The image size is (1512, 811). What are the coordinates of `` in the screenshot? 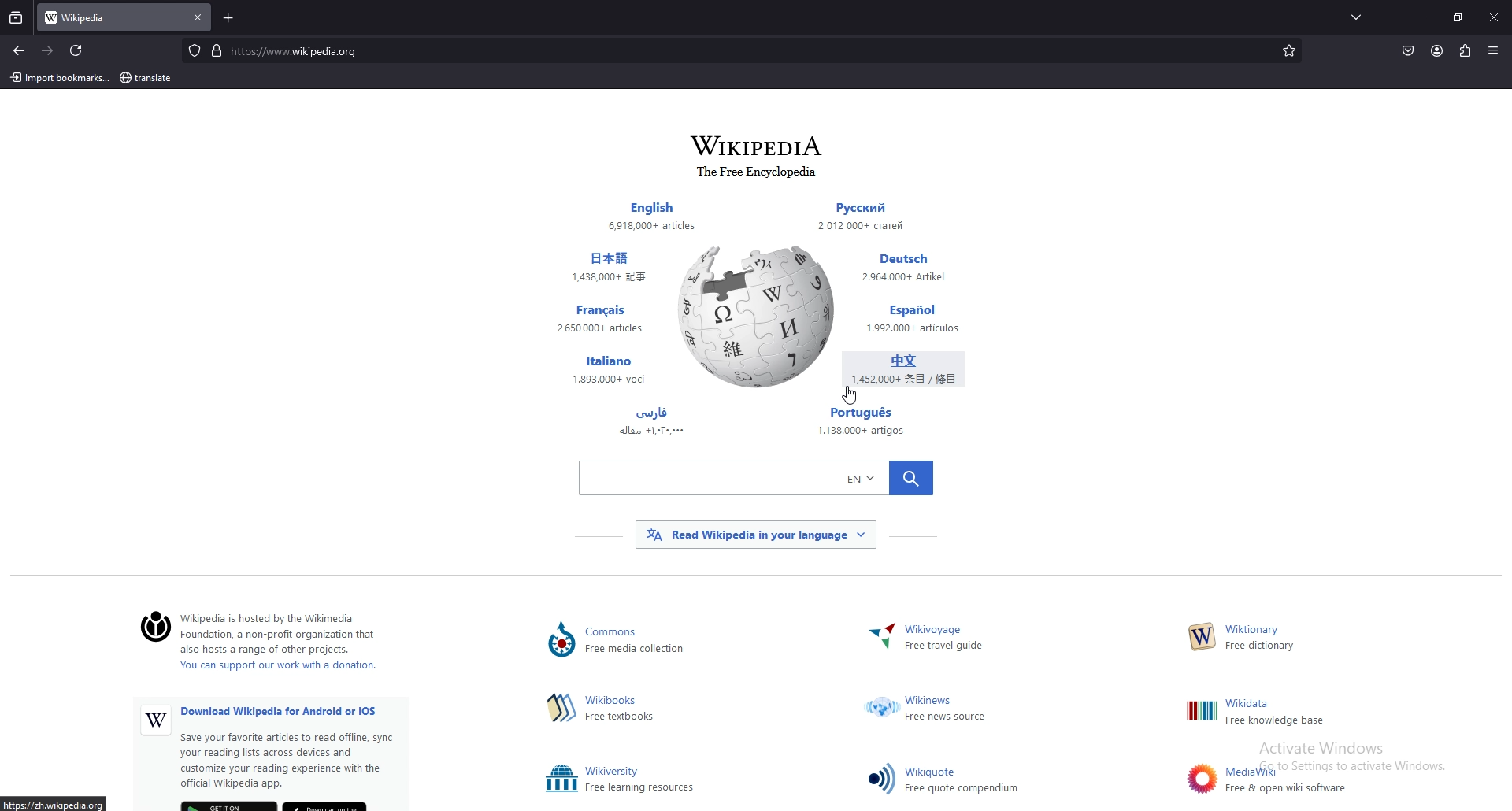 It's located at (561, 641).